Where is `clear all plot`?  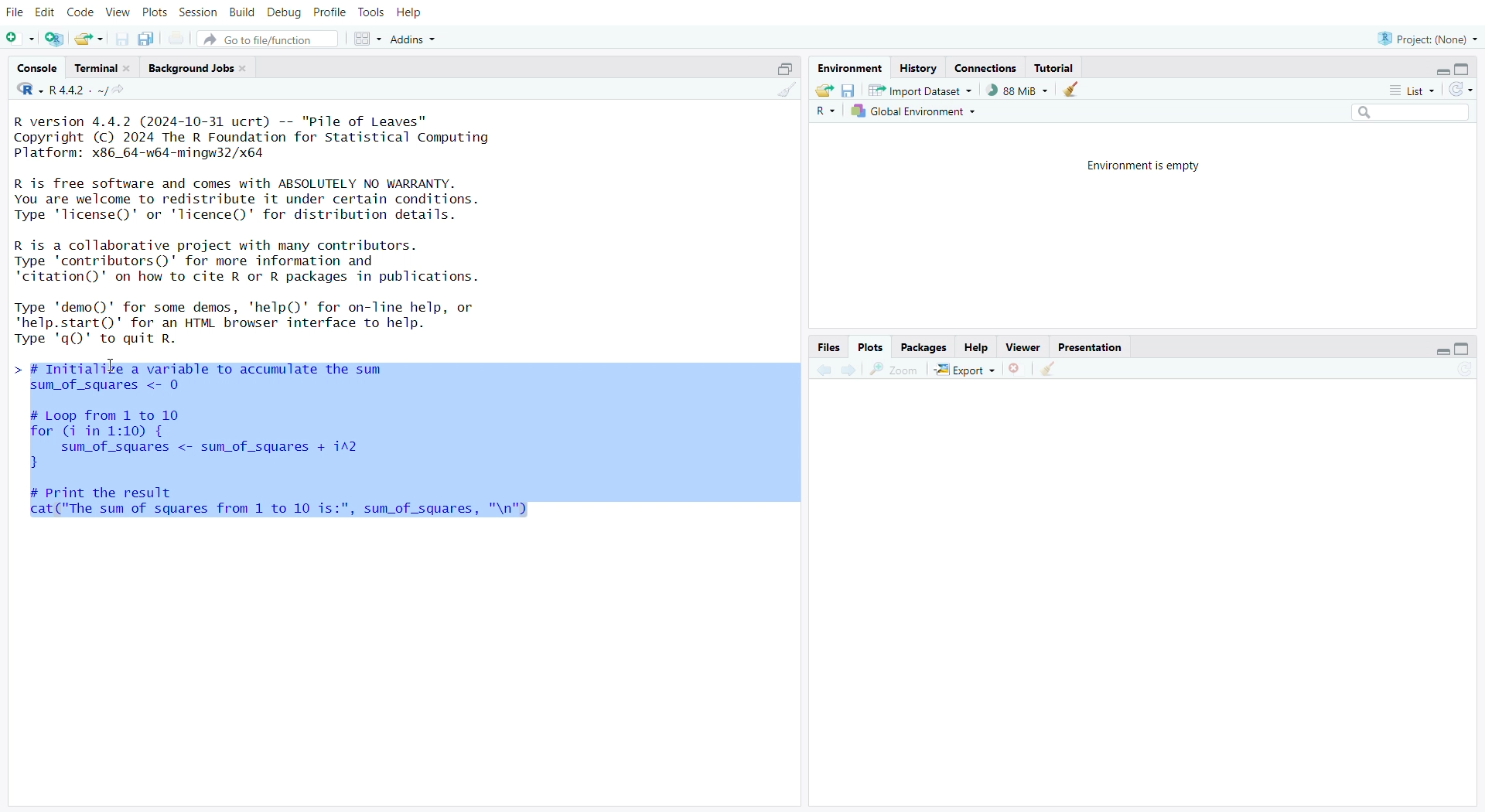
clear all plot is located at coordinates (1047, 369).